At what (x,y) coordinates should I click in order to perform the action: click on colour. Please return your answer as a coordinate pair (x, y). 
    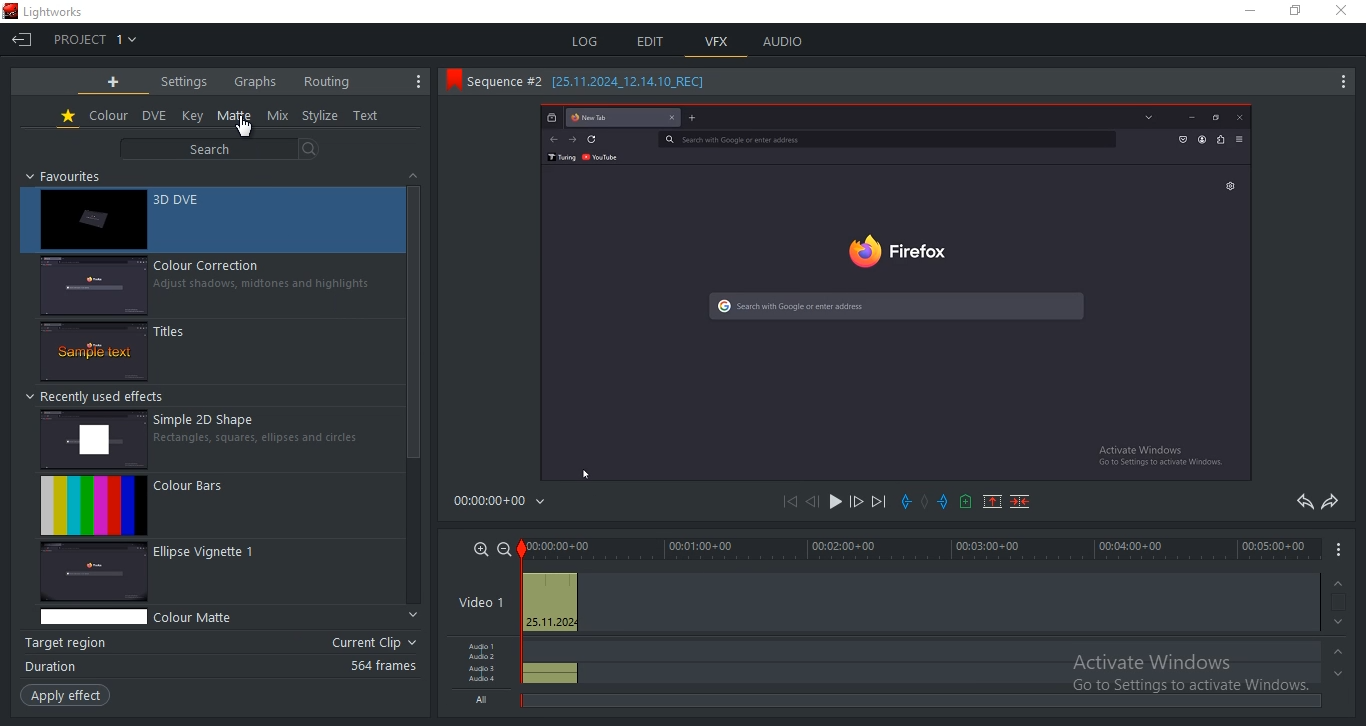
    Looking at the image, I should click on (109, 116).